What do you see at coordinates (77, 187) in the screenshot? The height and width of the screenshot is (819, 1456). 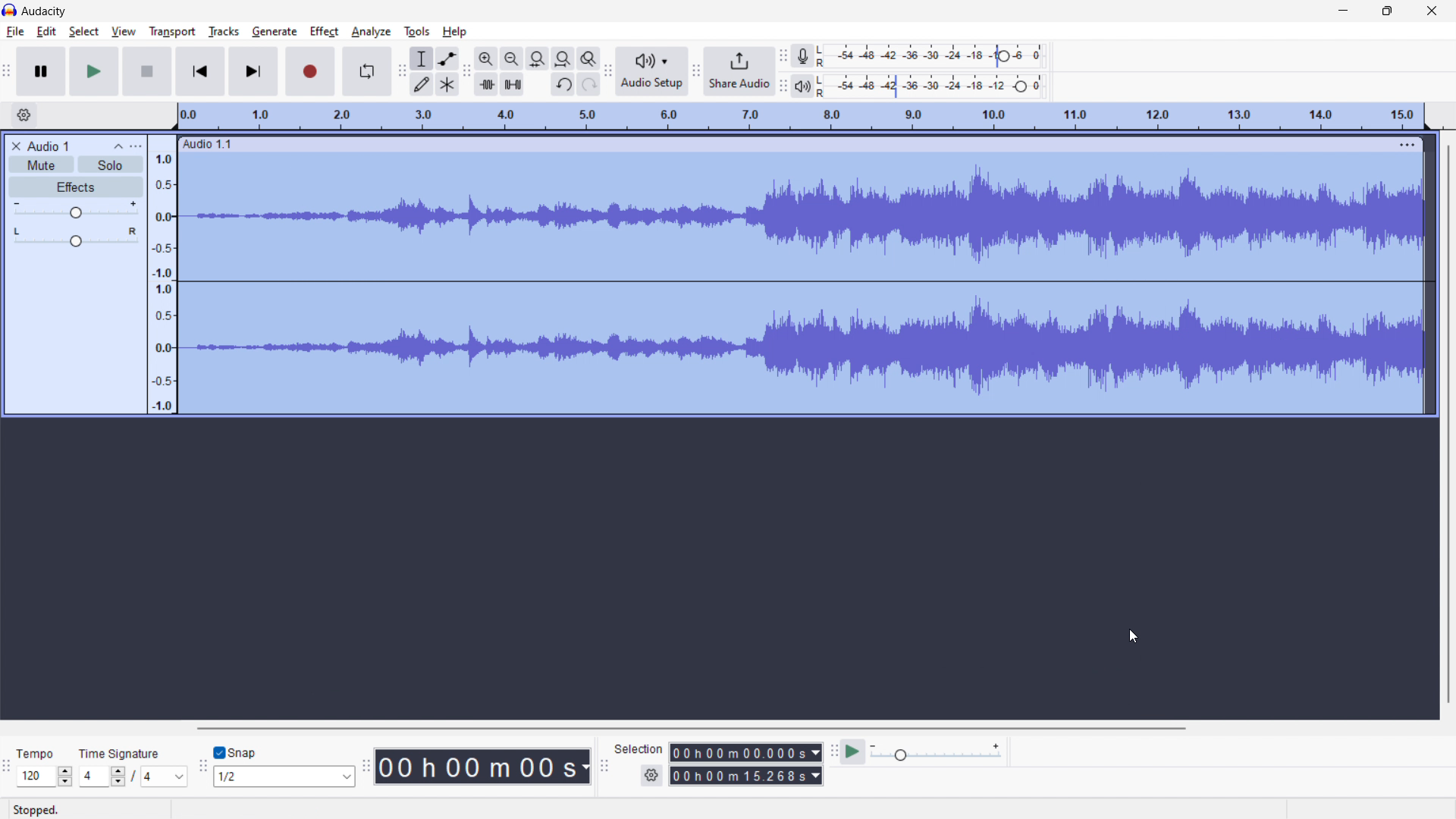 I see `effects` at bounding box center [77, 187].